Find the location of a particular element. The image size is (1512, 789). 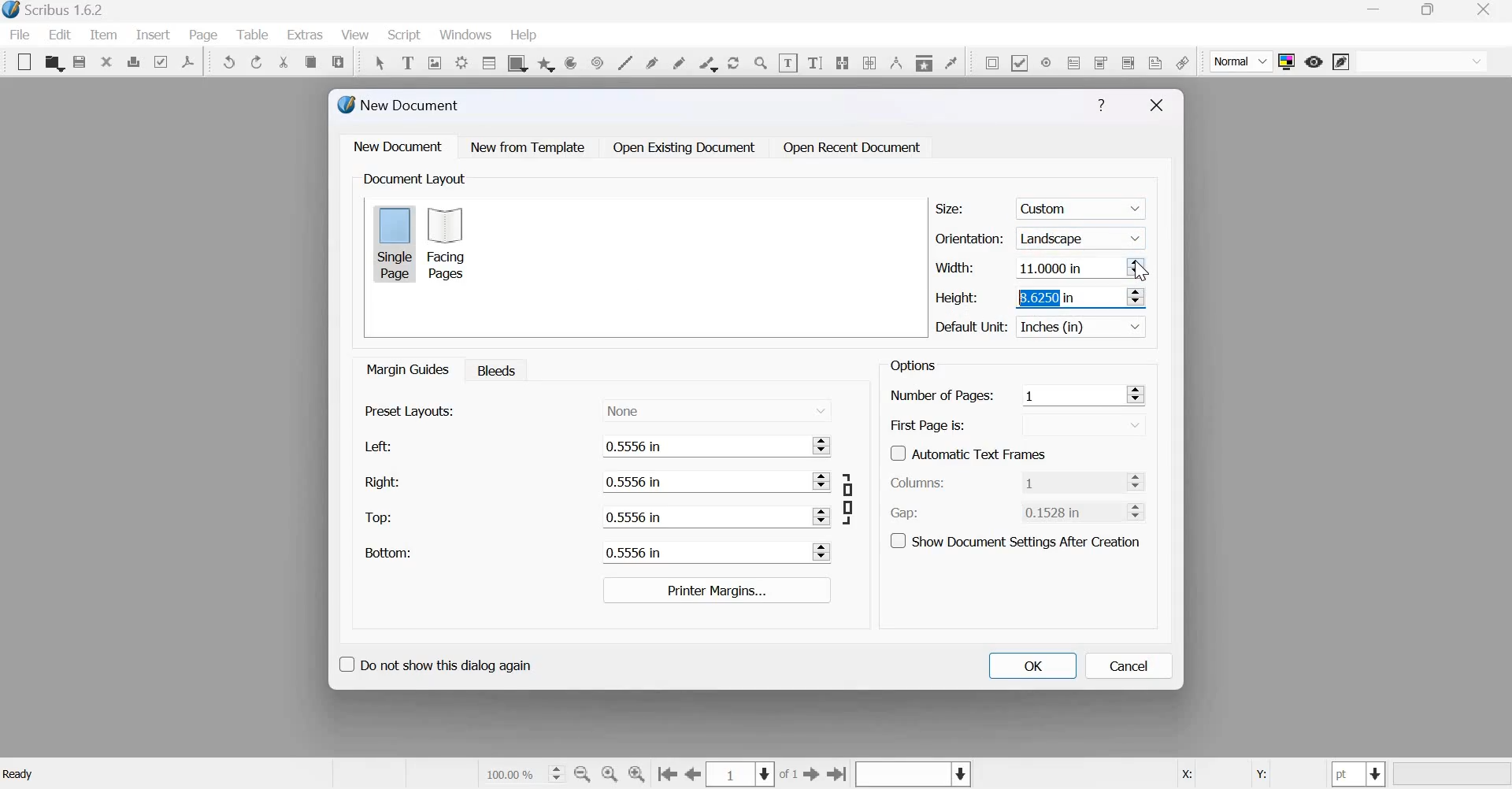

insert is located at coordinates (153, 34).